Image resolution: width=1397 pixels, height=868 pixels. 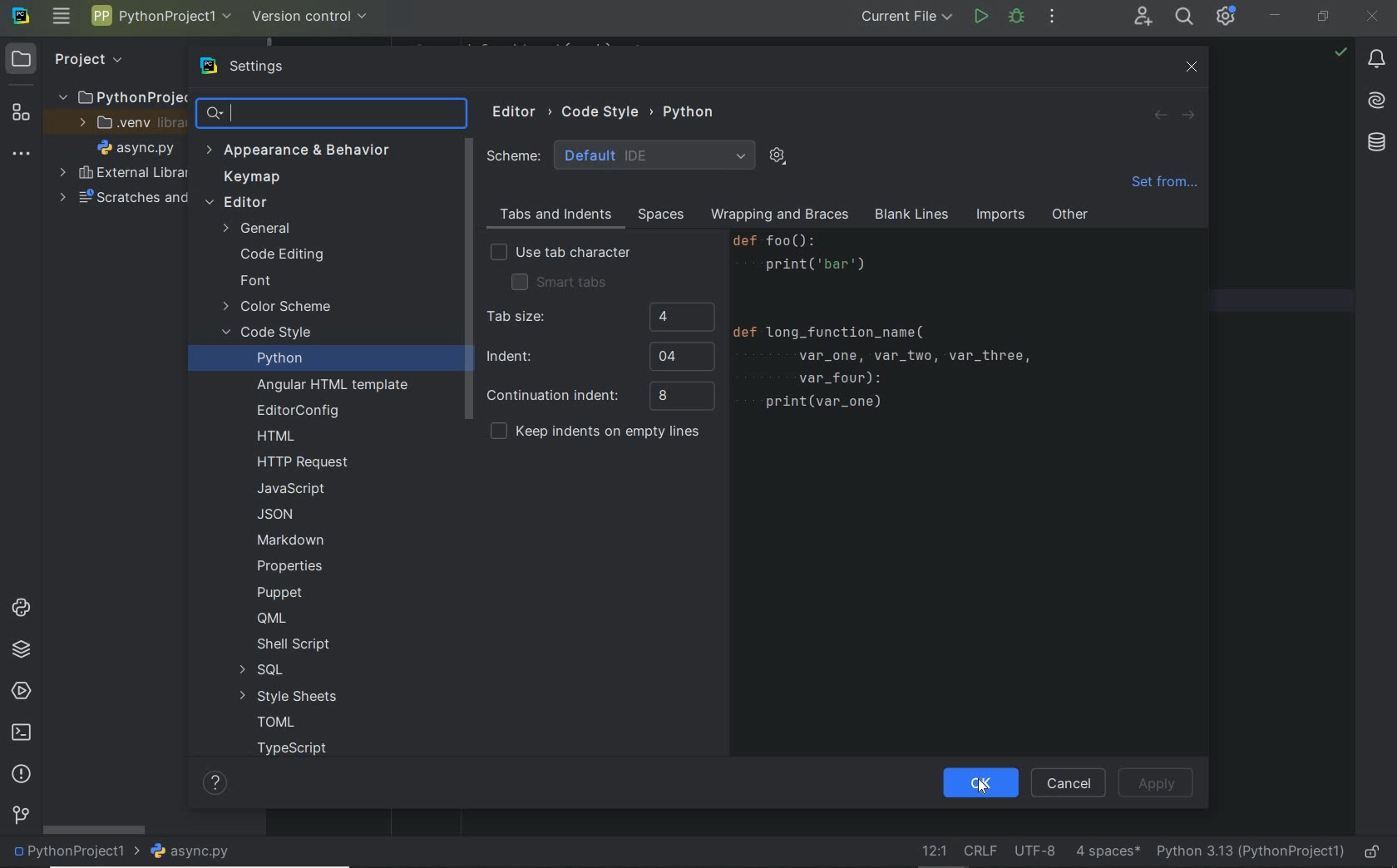 I want to click on Cursor Position, so click(x=983, y=791).